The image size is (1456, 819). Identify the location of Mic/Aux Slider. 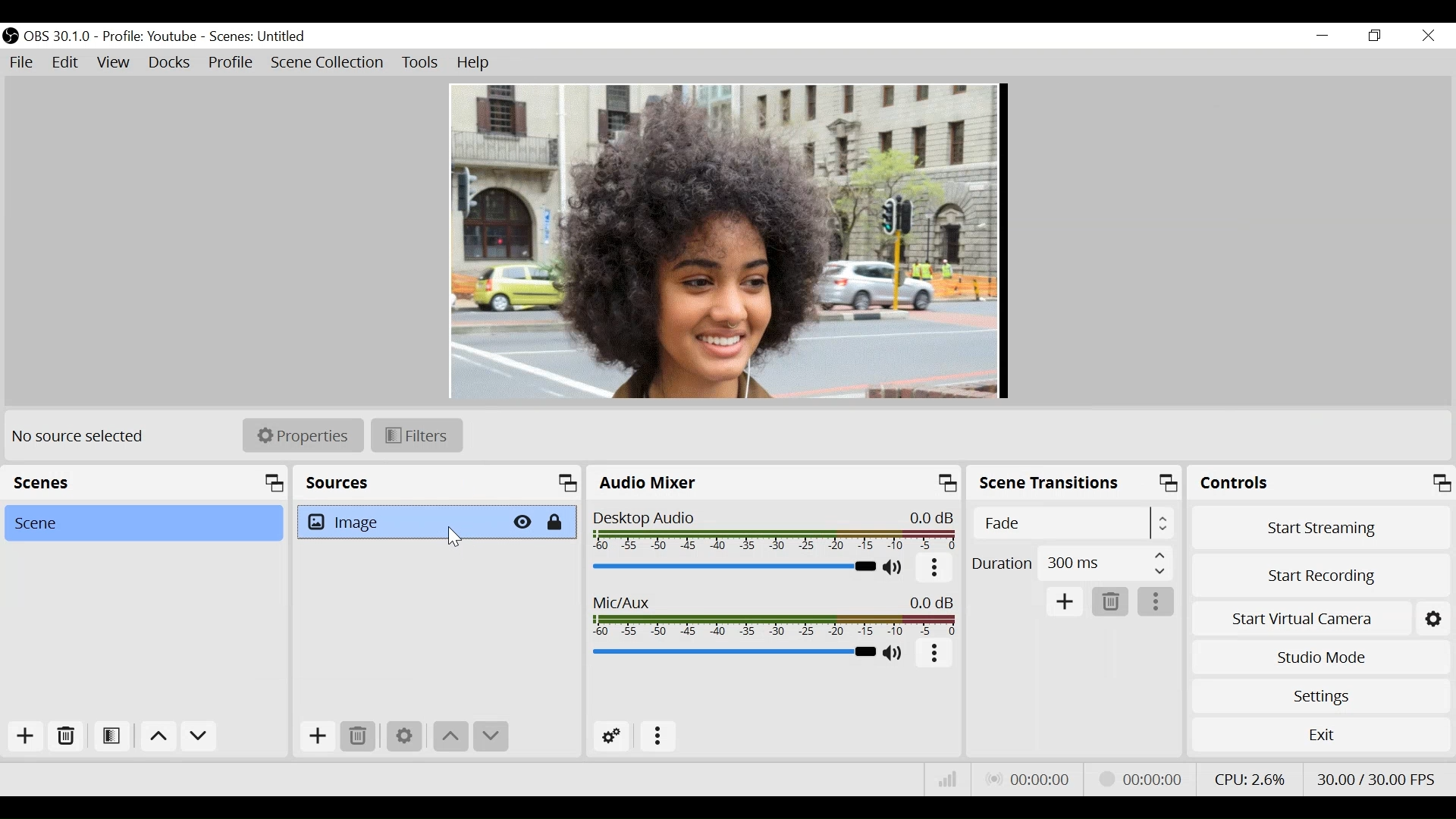
(734, 651).